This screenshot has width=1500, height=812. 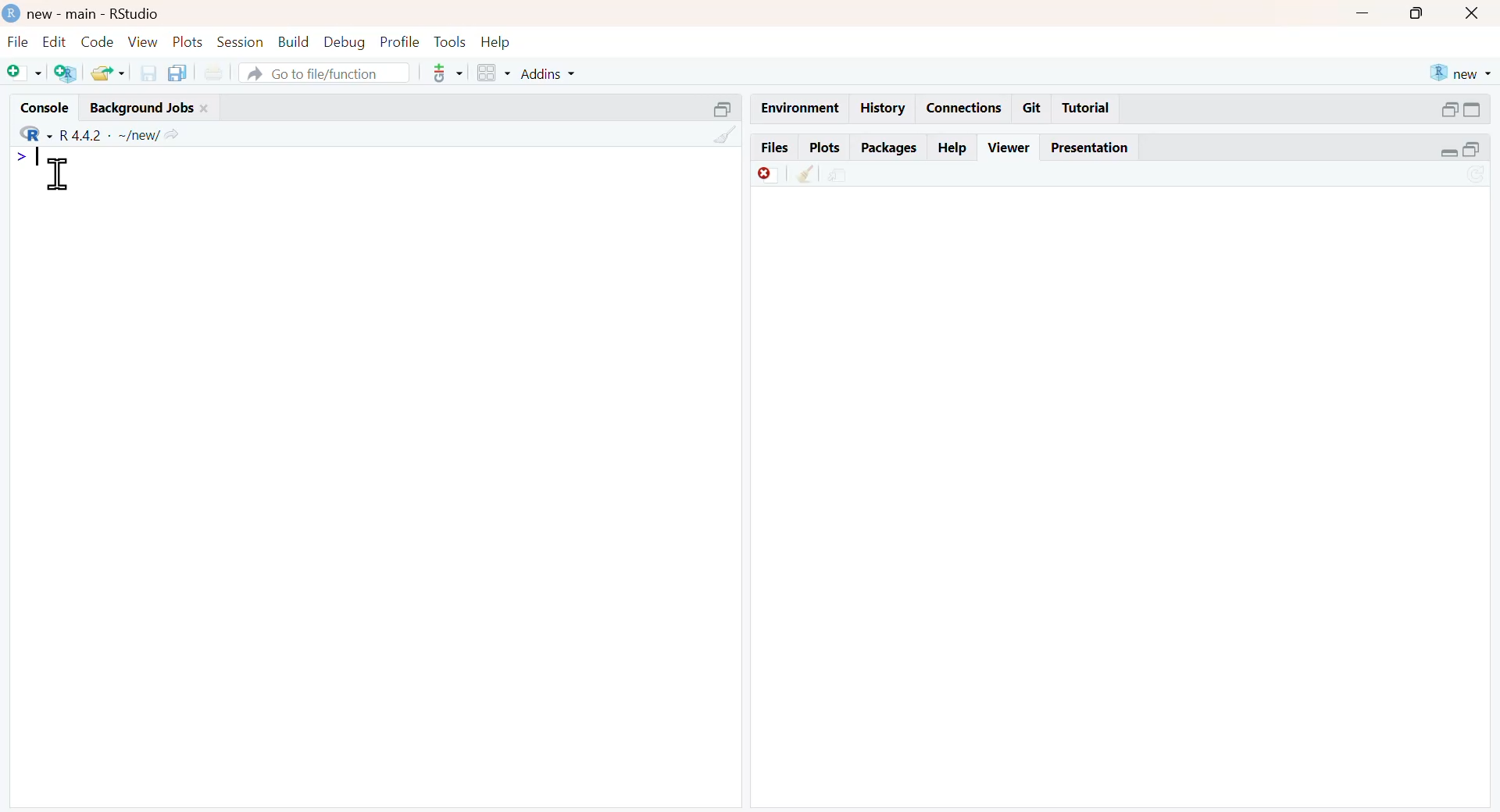 I want to click on session, so click(x=241, y=41).